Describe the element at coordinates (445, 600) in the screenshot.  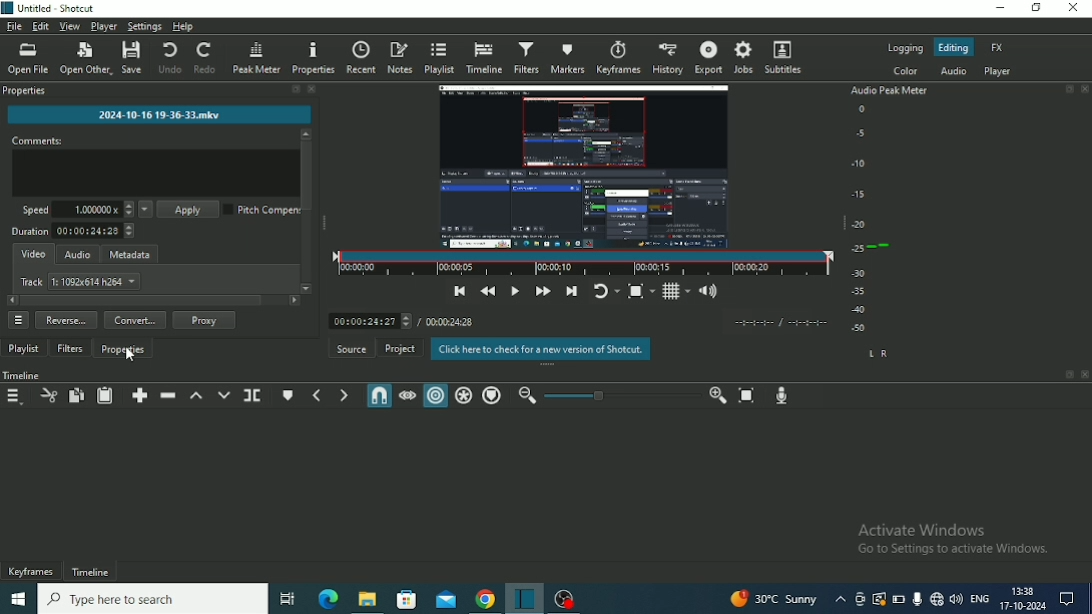
I see `Mail` at that location.